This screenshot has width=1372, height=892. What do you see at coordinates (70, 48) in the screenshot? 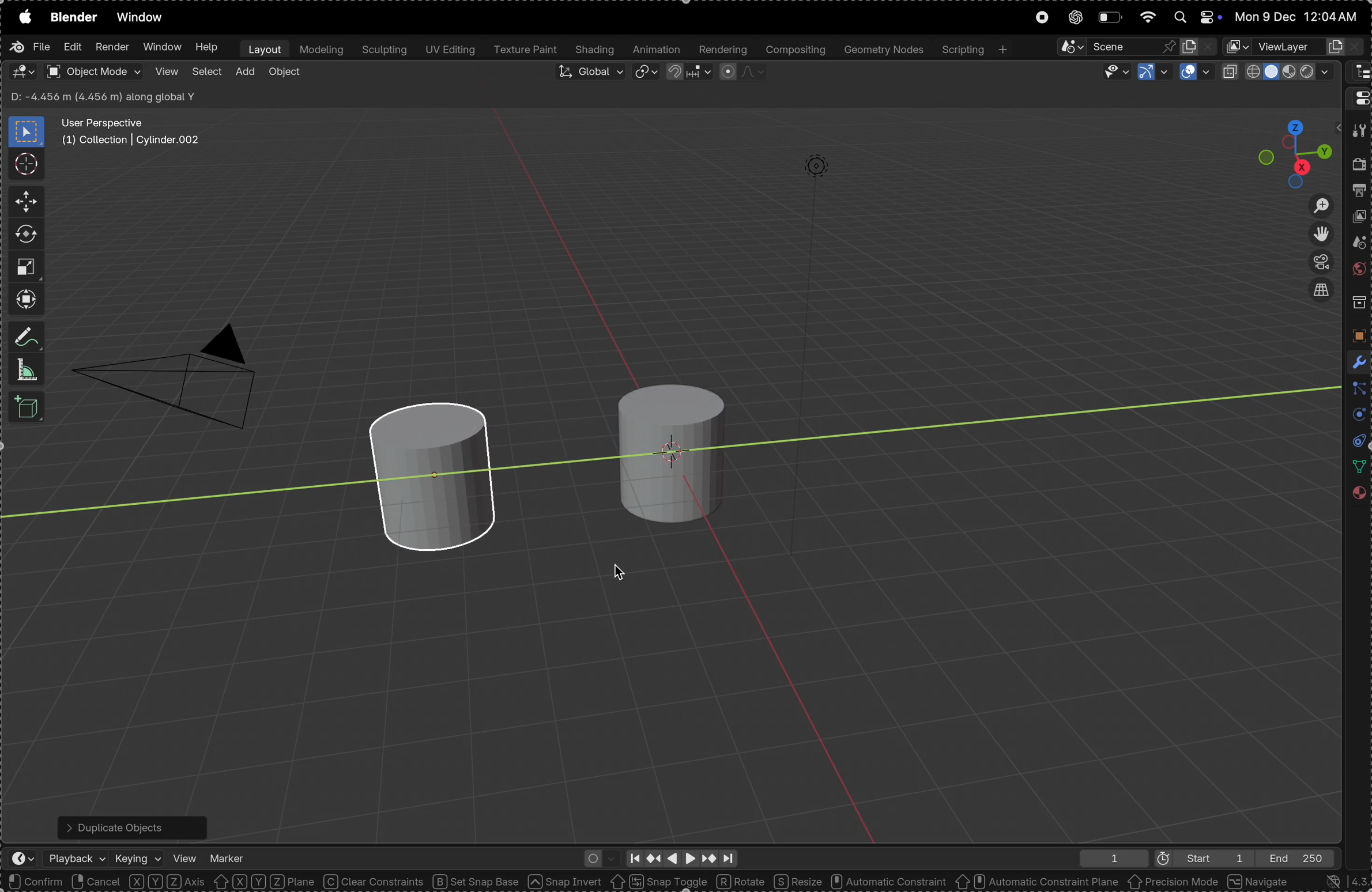
I see `Edit` at bounding box center [70, 48].